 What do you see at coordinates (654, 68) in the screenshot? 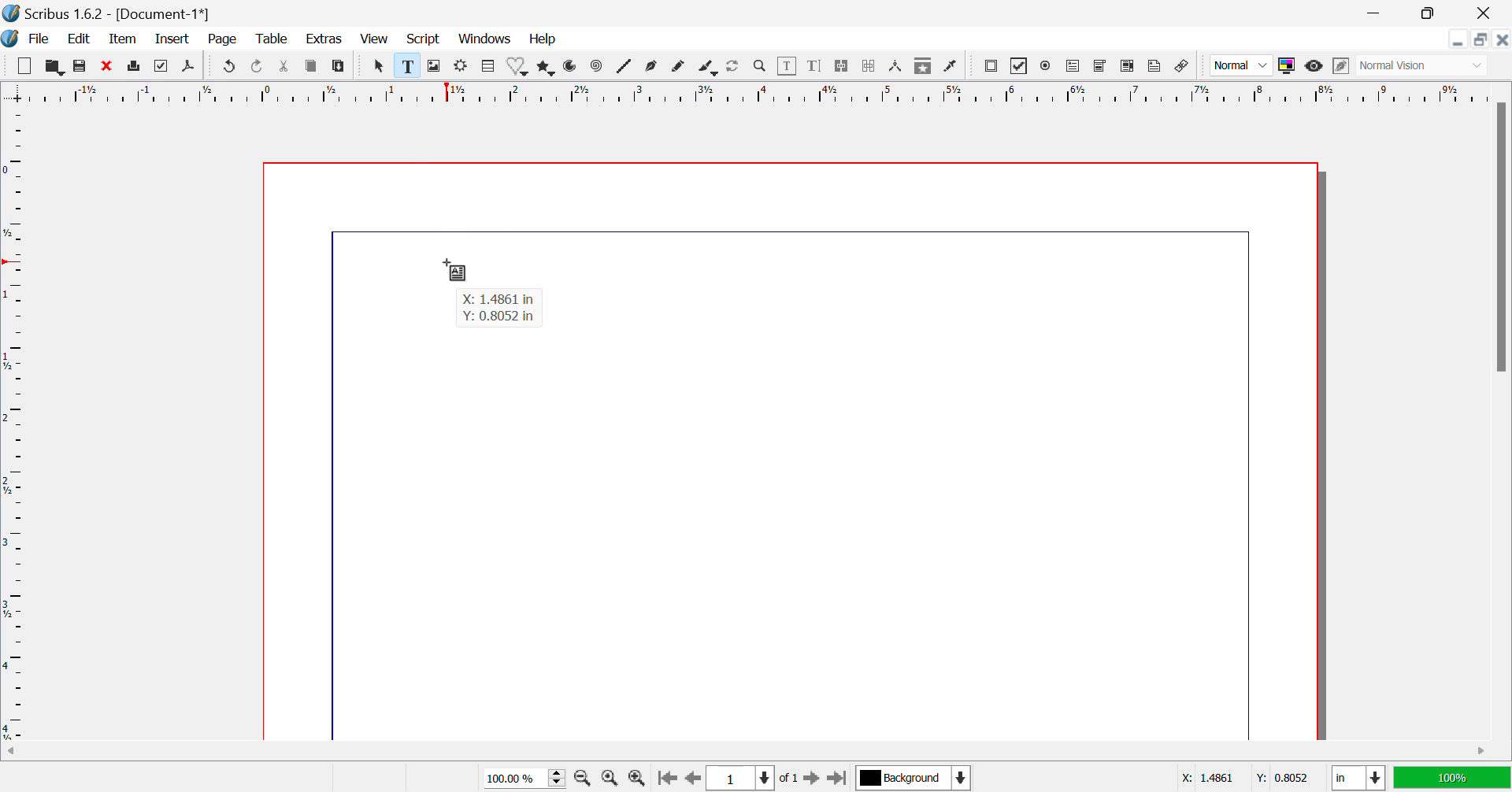
I see `Bezier Curve` at bounding box center [654, 68].